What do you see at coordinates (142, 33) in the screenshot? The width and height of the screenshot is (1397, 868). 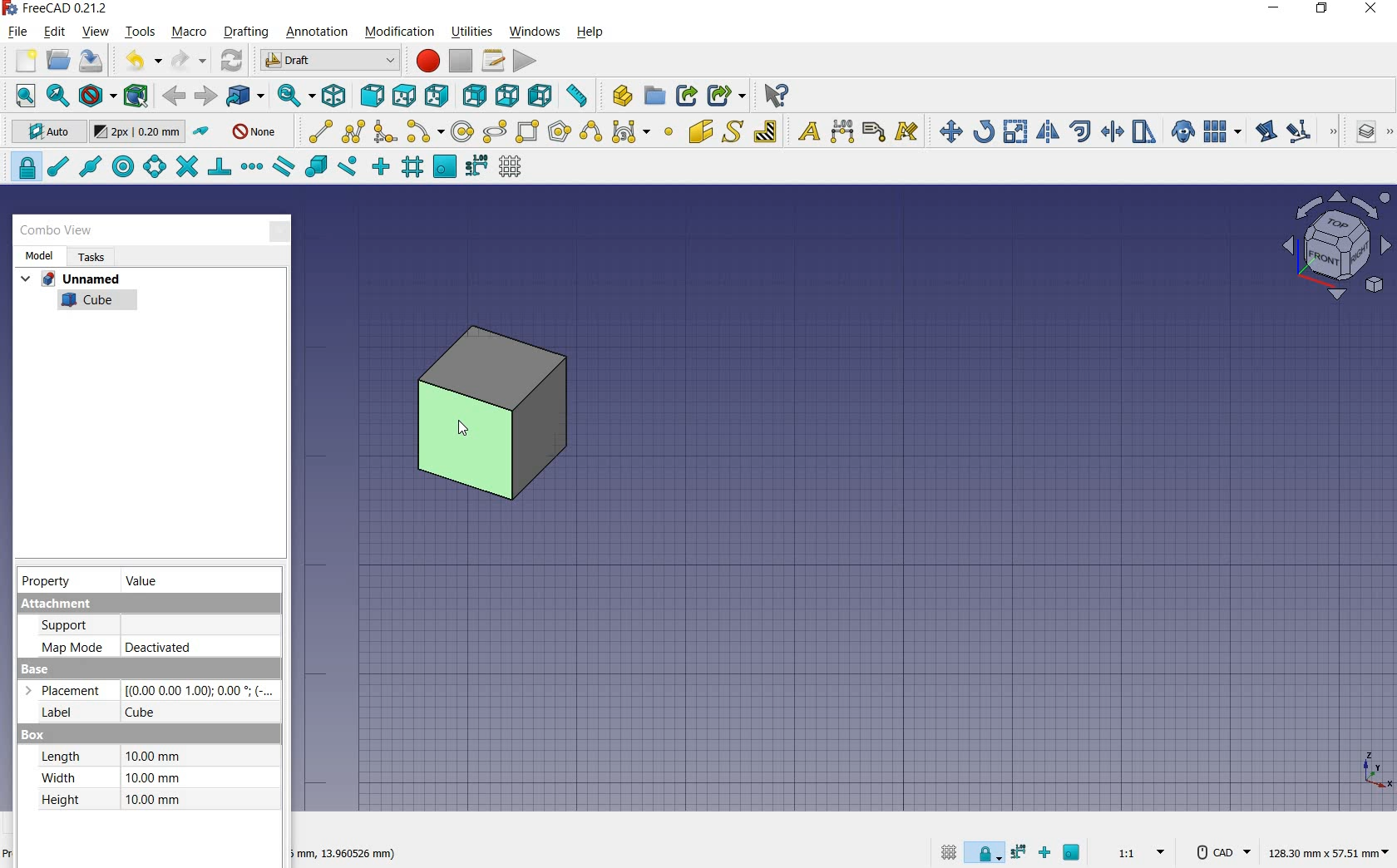 I see `tools` at bounding box center [142, 33].